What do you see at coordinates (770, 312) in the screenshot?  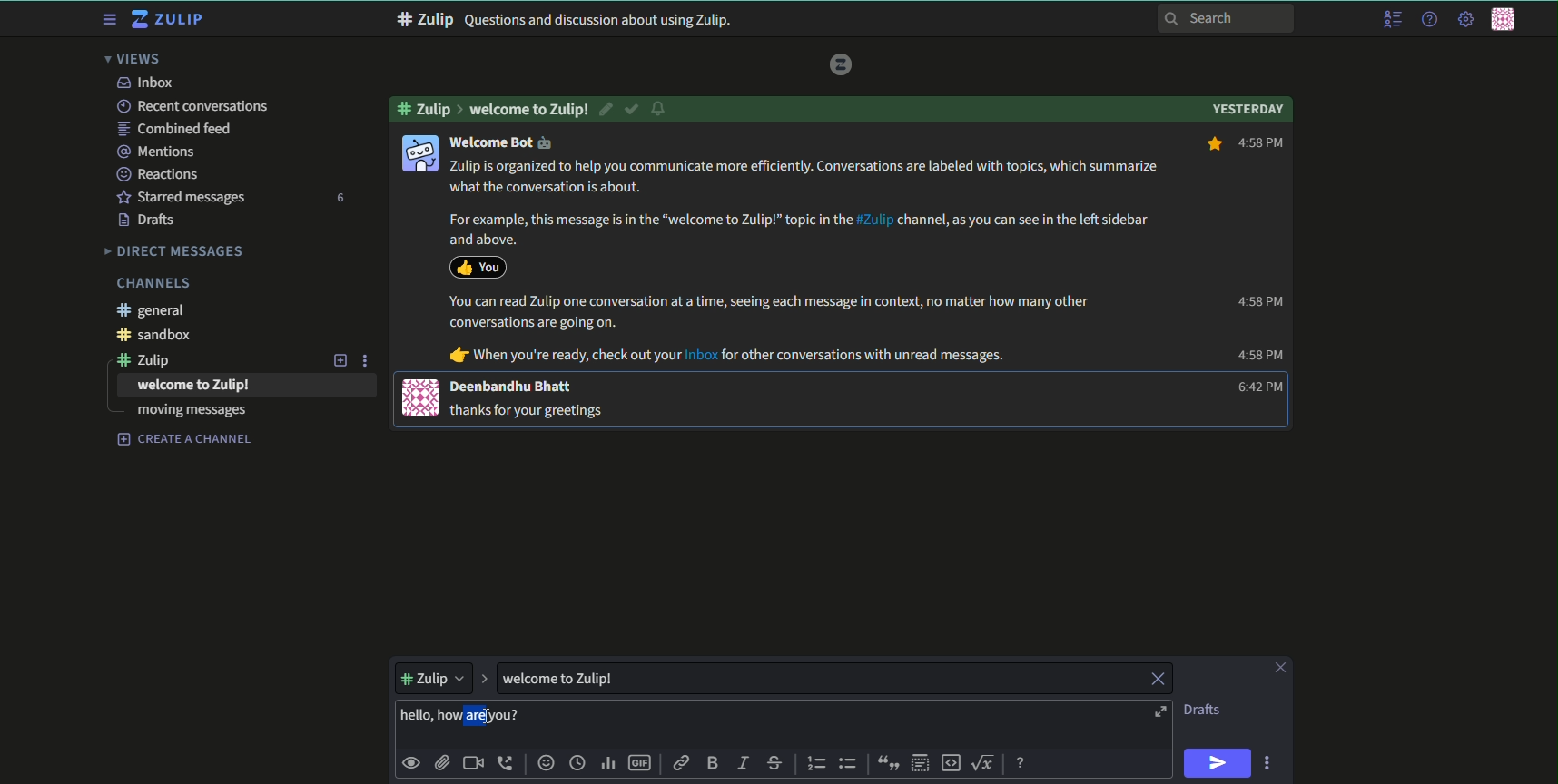 I see `You can read Zulip one conversation at a time, seeing each message in context, no matter how many other
conversations are going on.` at bounding box center [770, 312].